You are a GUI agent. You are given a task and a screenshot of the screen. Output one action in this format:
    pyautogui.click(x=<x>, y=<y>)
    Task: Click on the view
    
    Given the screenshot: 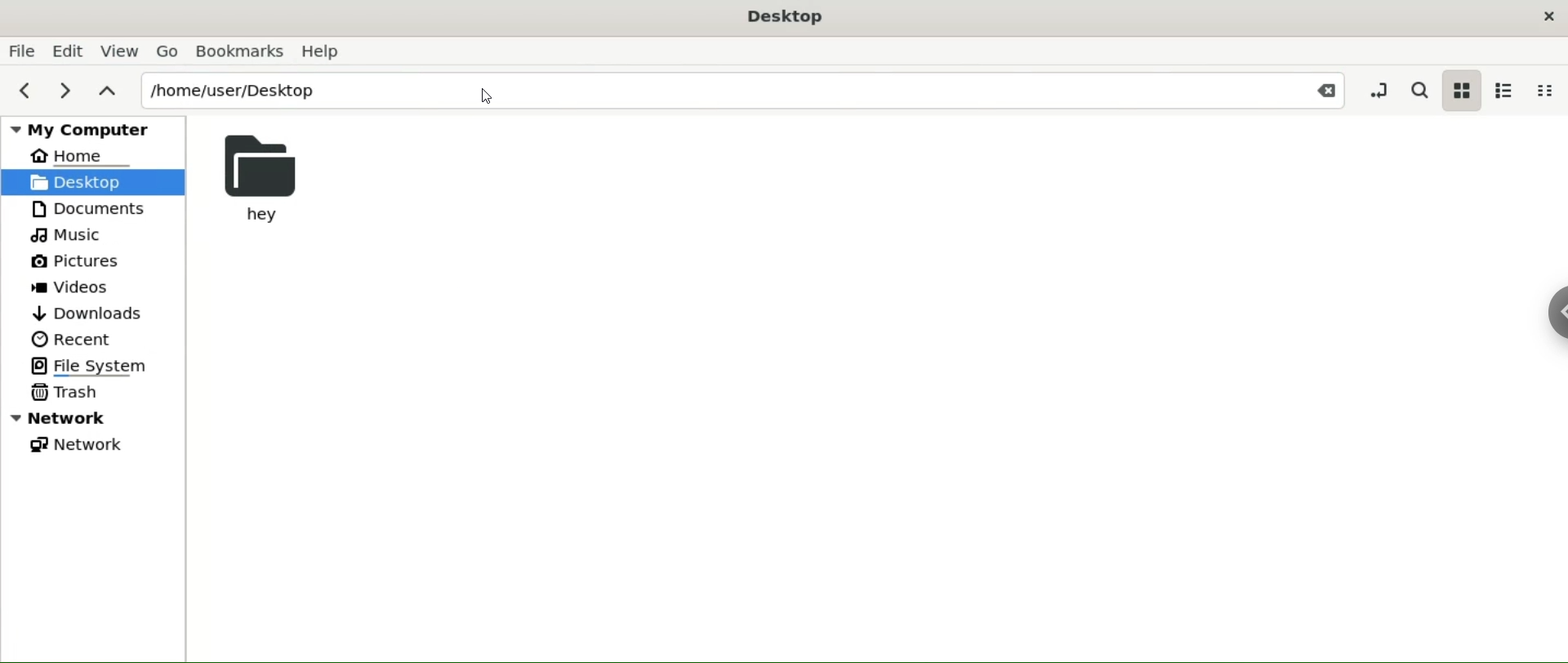 What is the action you would take?
    pyautogui.click(x=120, y=51)
    